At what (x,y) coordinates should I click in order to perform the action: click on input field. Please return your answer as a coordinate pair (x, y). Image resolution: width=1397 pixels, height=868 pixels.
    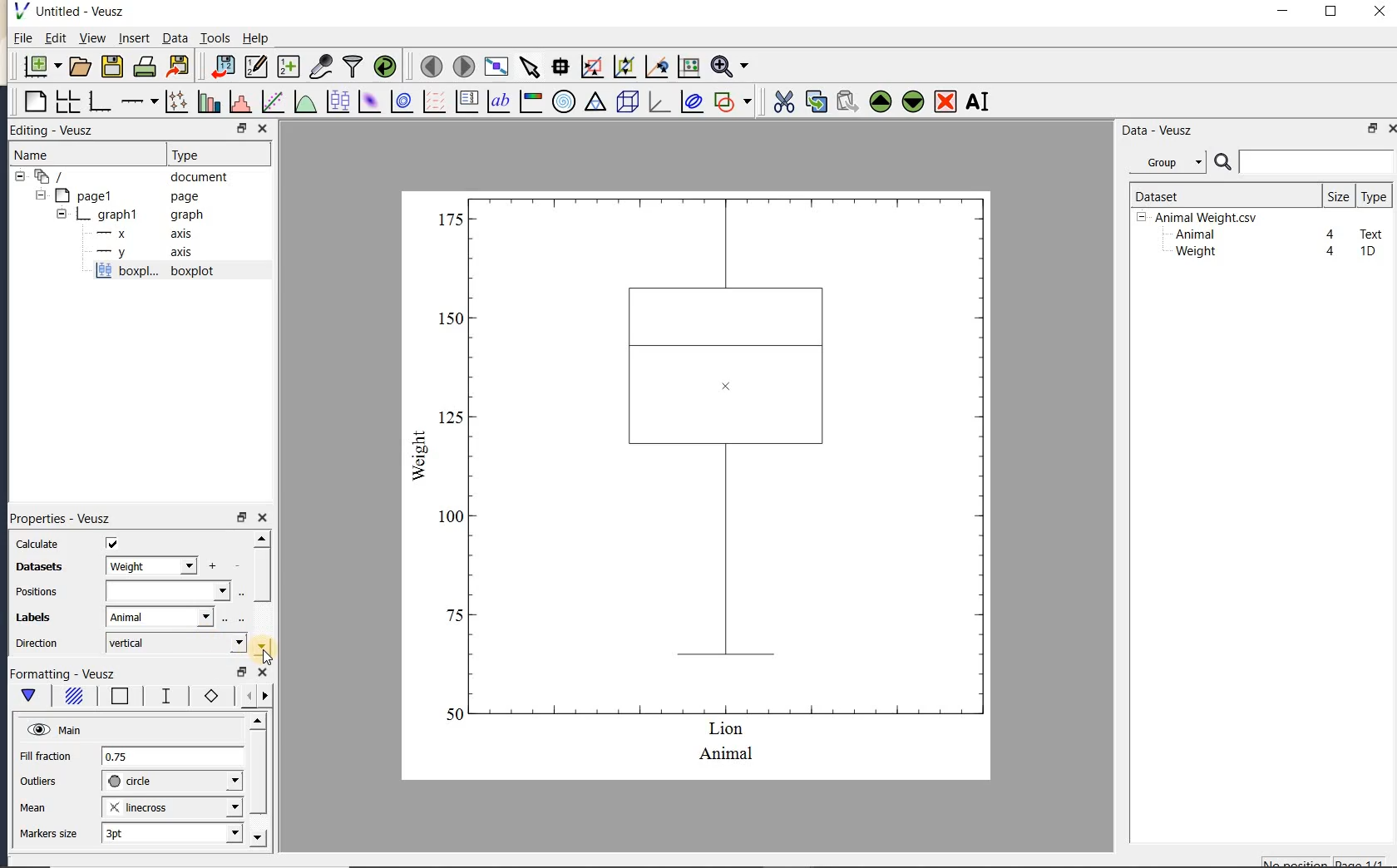
    Looking at the image, I should click on (167, 591).